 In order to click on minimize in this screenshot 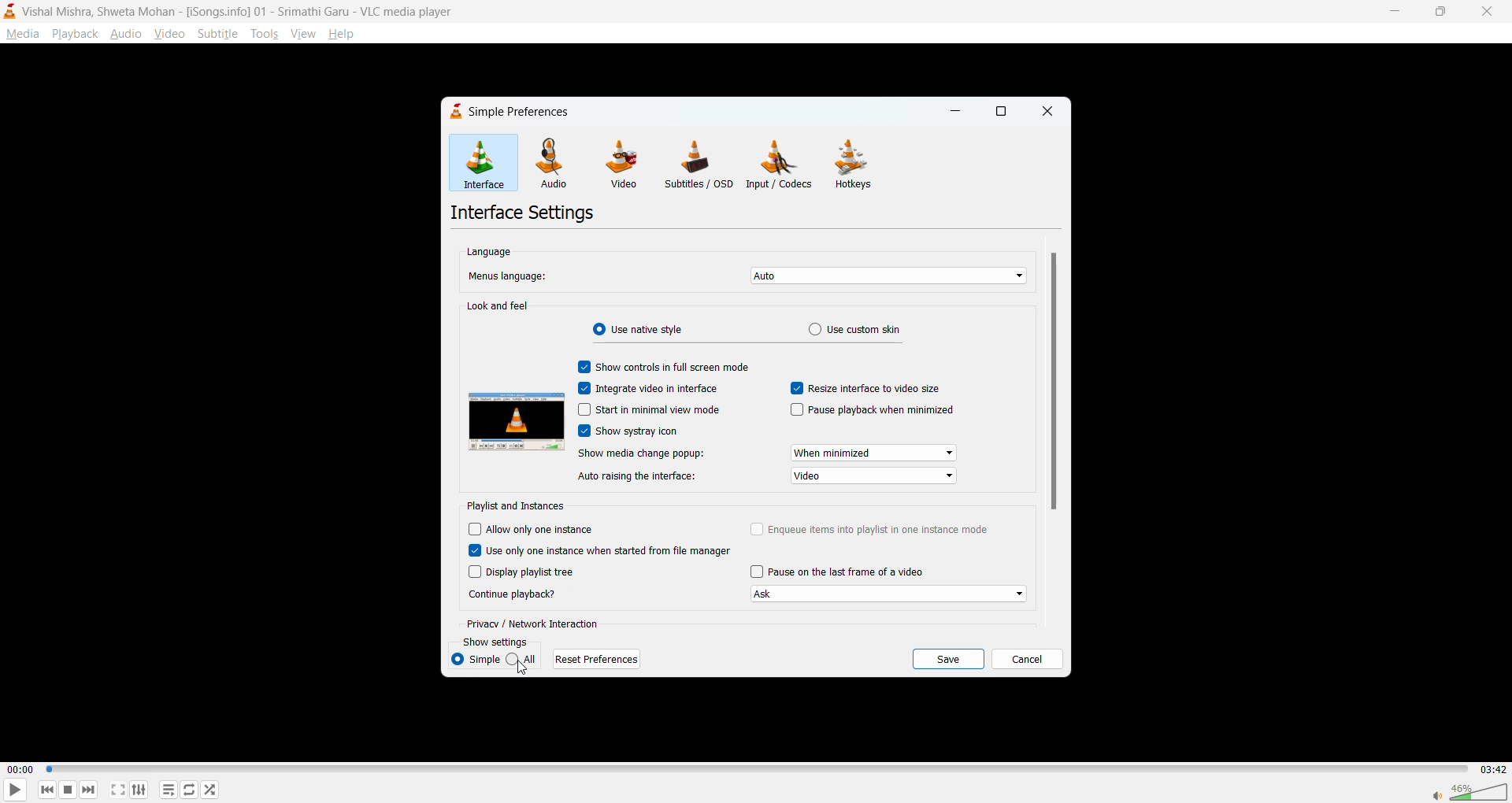, I will do `click(1392, 9)`.